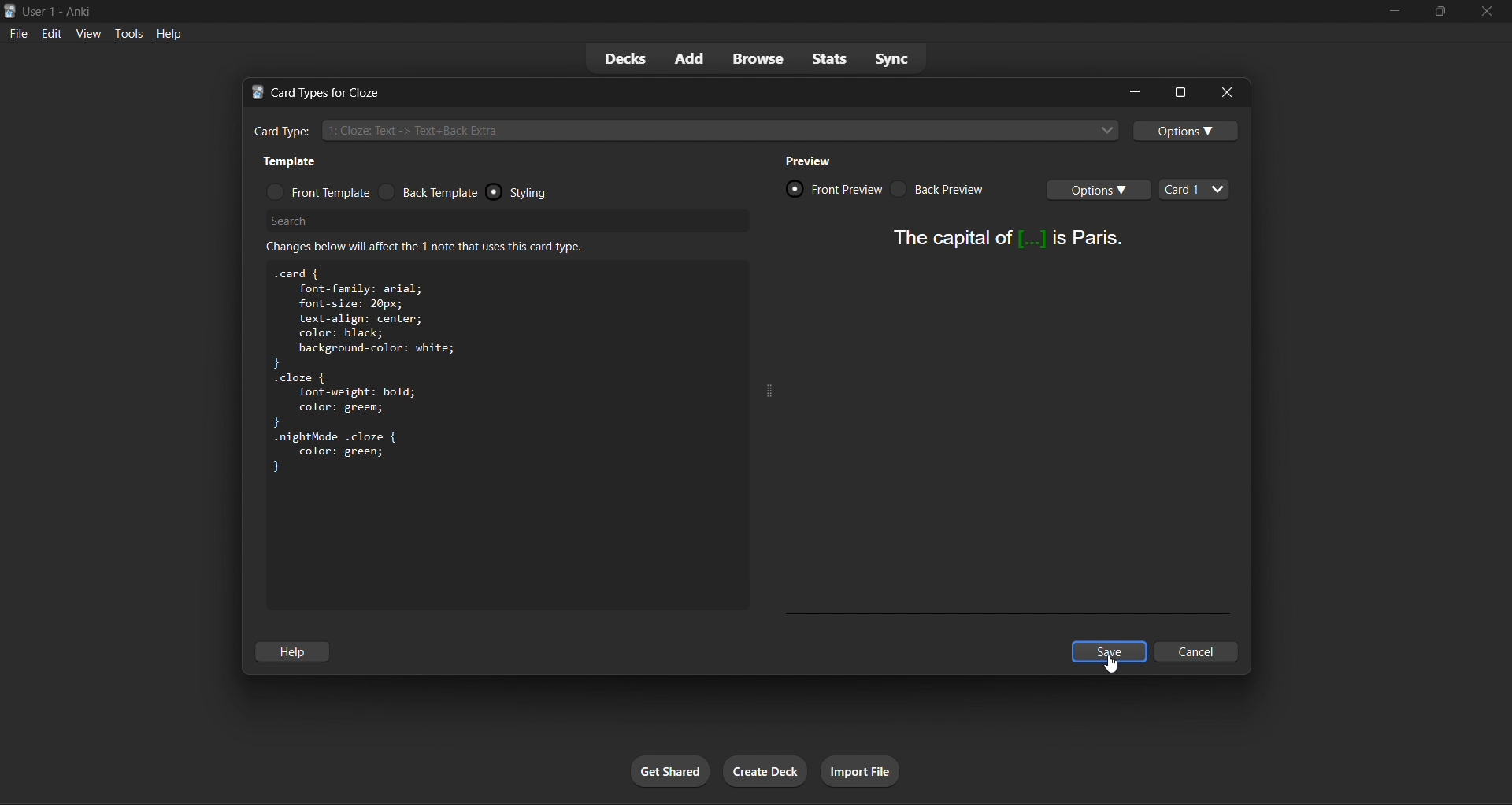  Describe the element at coordinates (903, 57) in the screenshot. I see `sync` at that location.